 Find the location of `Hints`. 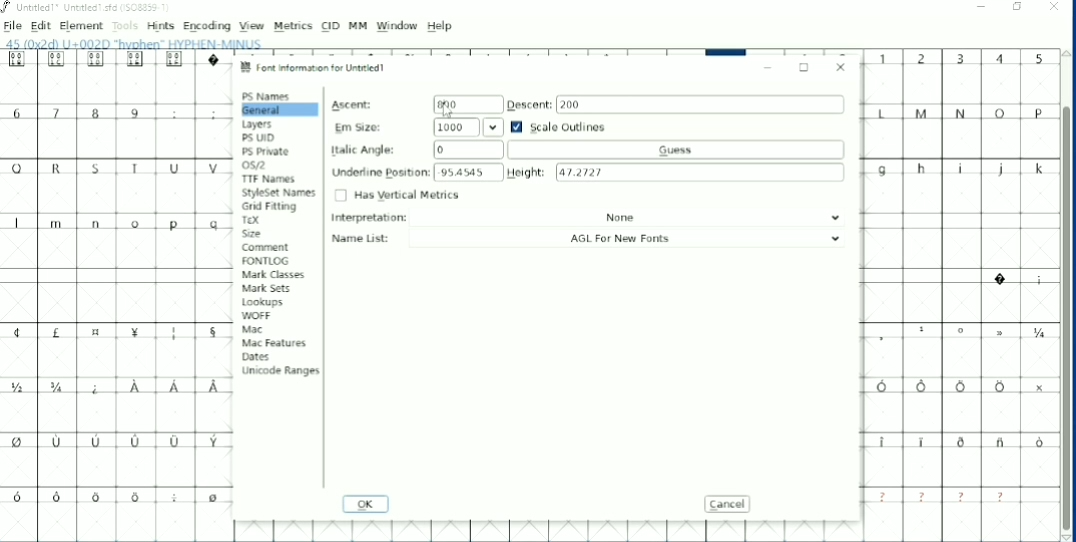

Hints is located at coordinates (160, 26).